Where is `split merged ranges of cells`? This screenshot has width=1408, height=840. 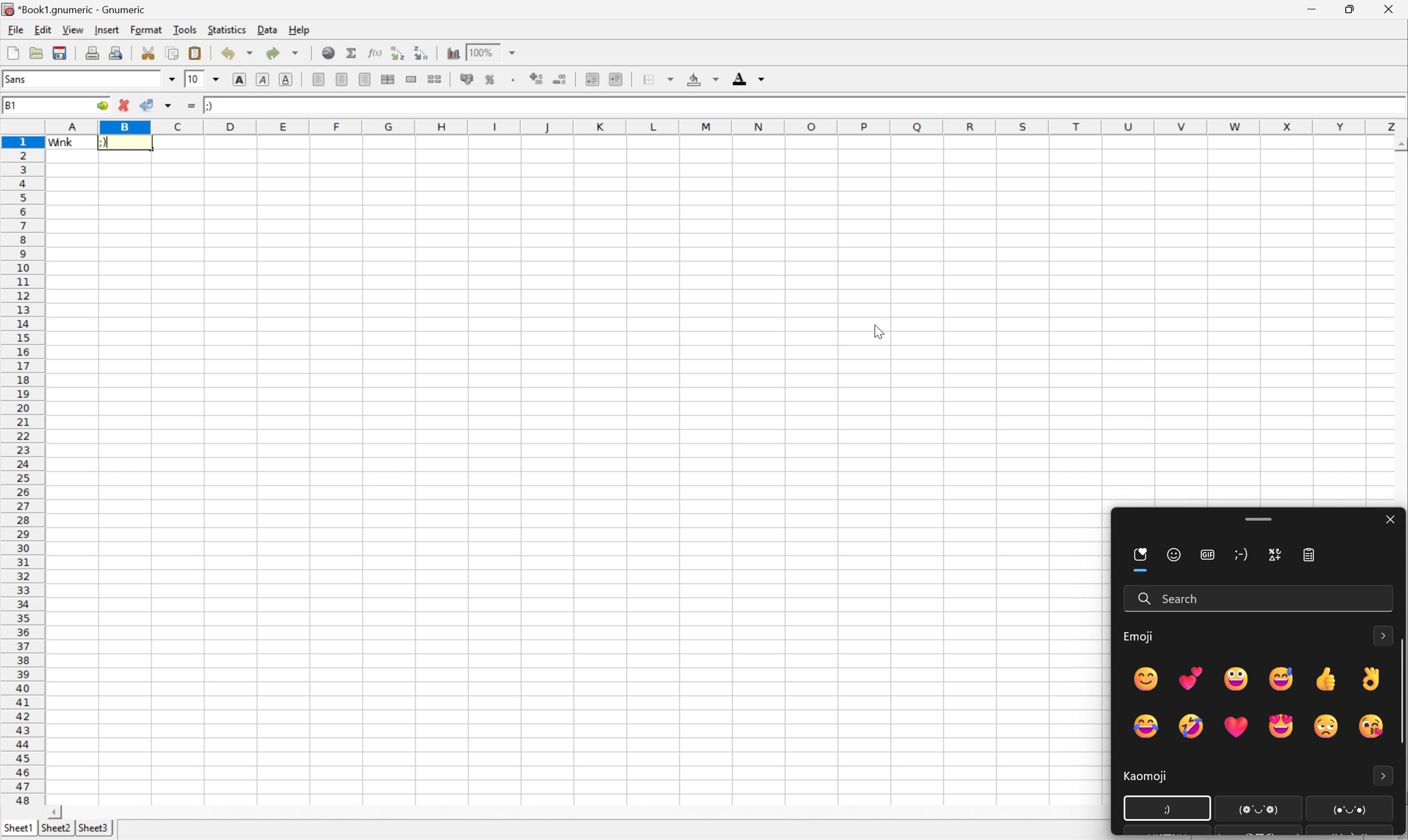
split merged ranges of cells is located at coordinates (436, 79).